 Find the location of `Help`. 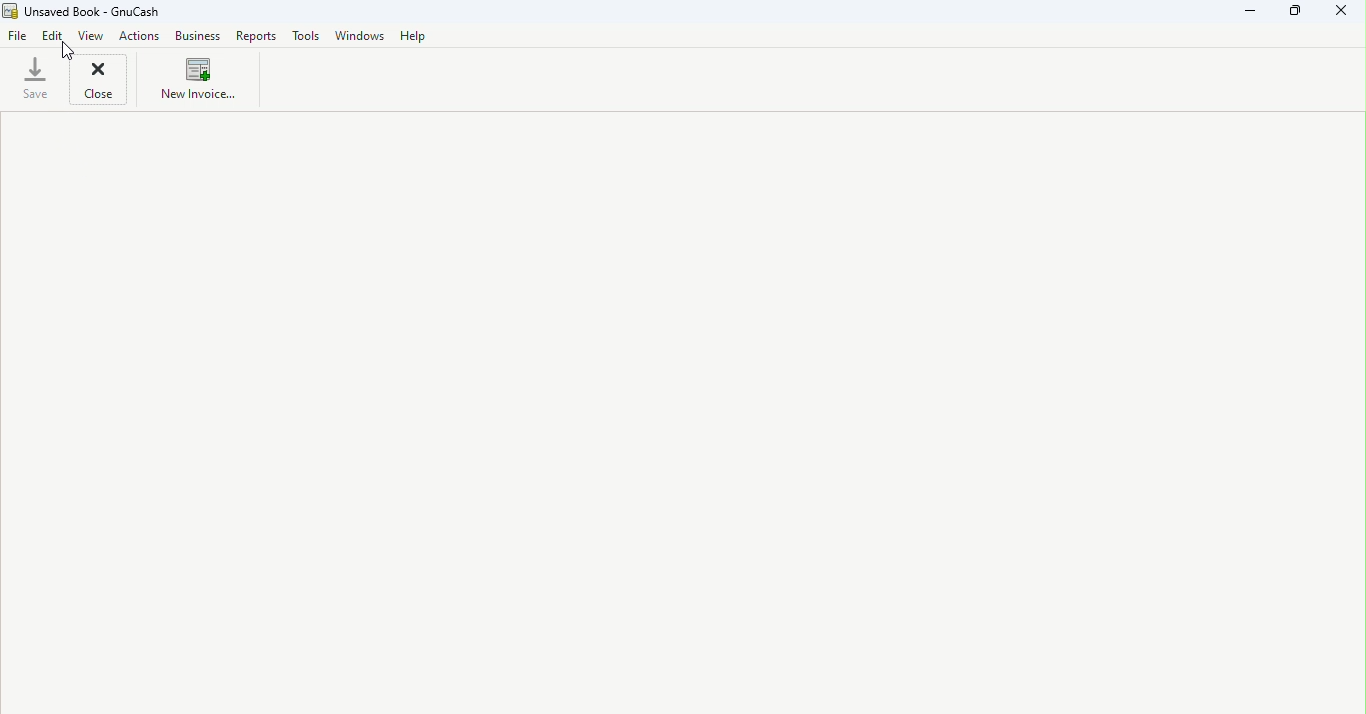

Help is located at coordinates (425, 33).